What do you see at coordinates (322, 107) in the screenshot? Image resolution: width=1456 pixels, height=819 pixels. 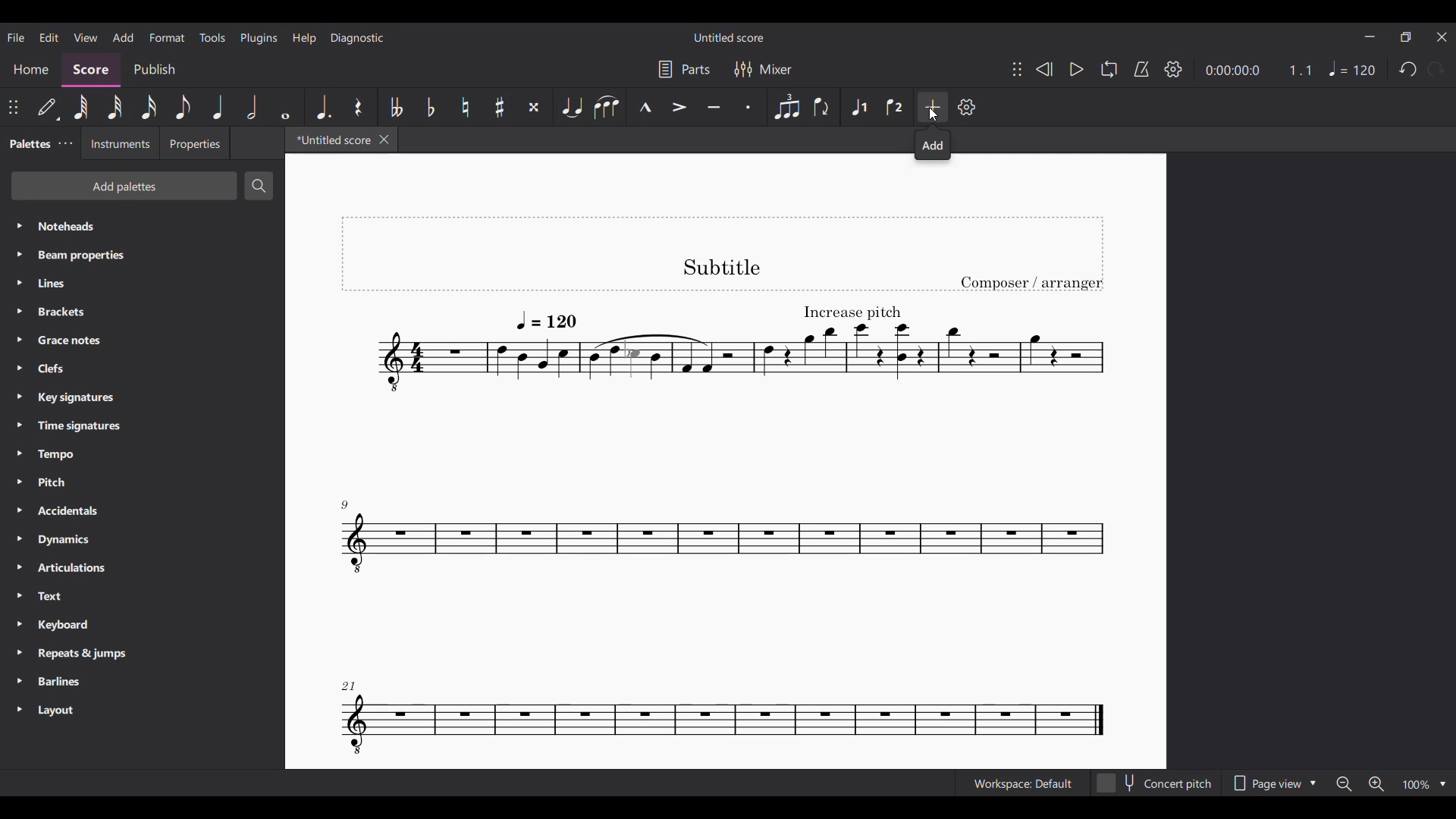 I see `Augmentation dot` at bounding box center [322, 107].